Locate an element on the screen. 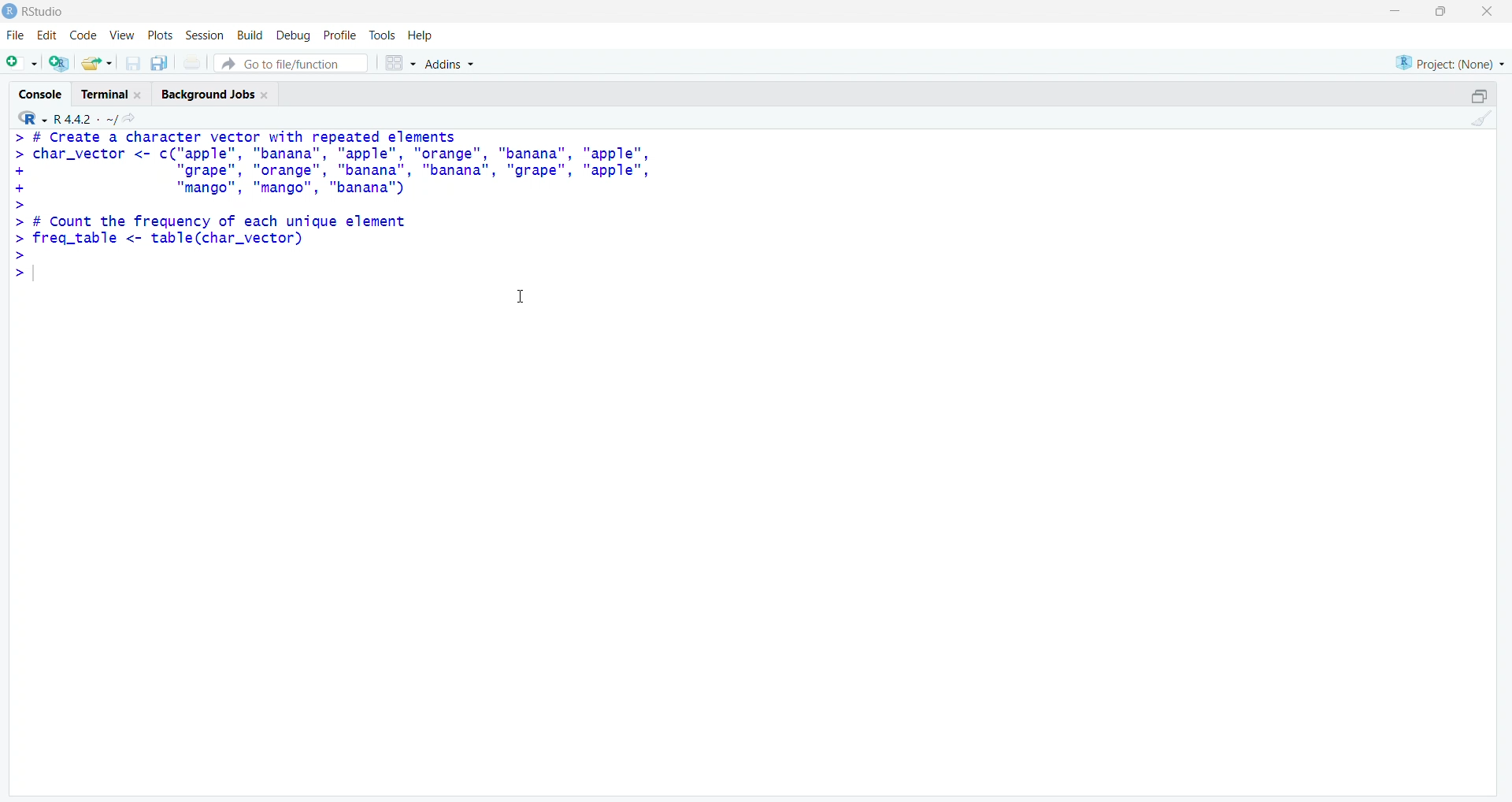  Addins is located at coordinates (451, 64).